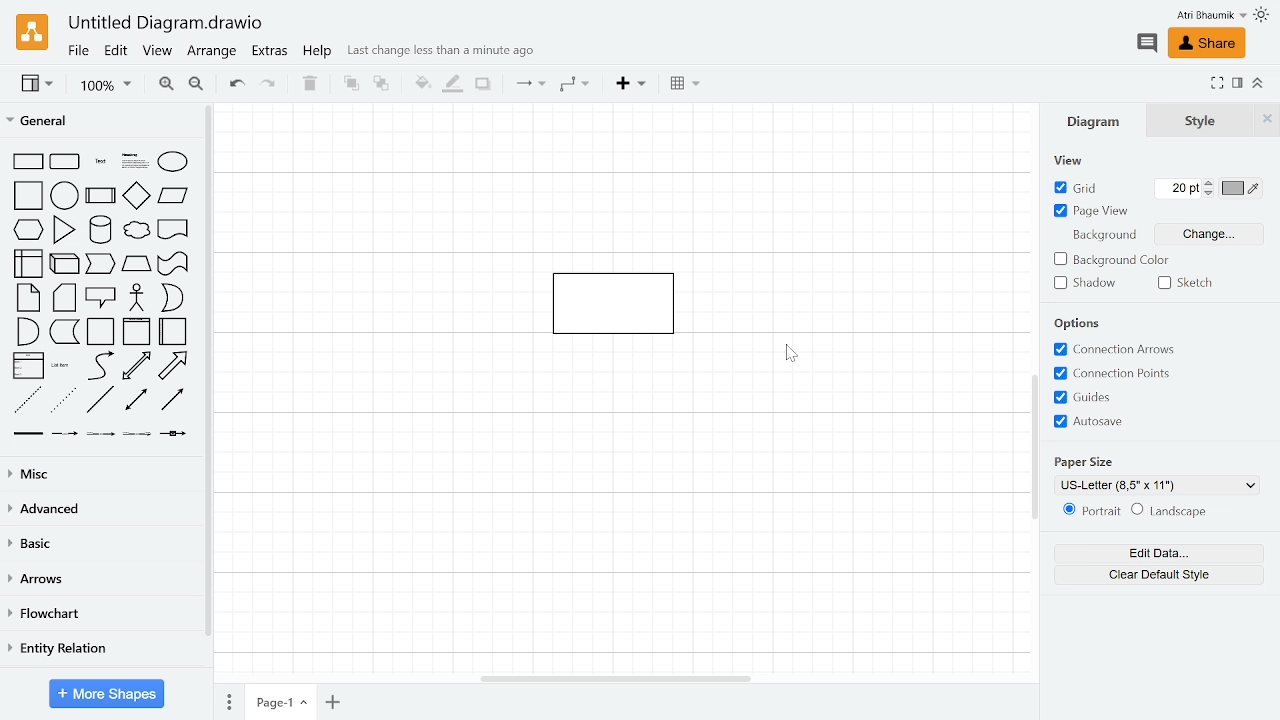 This screenshot has height=720, width=1280. What do you see at coordinates (278, 701) in the screenshot?
I see `Current page` at bounding box center [278, 701].